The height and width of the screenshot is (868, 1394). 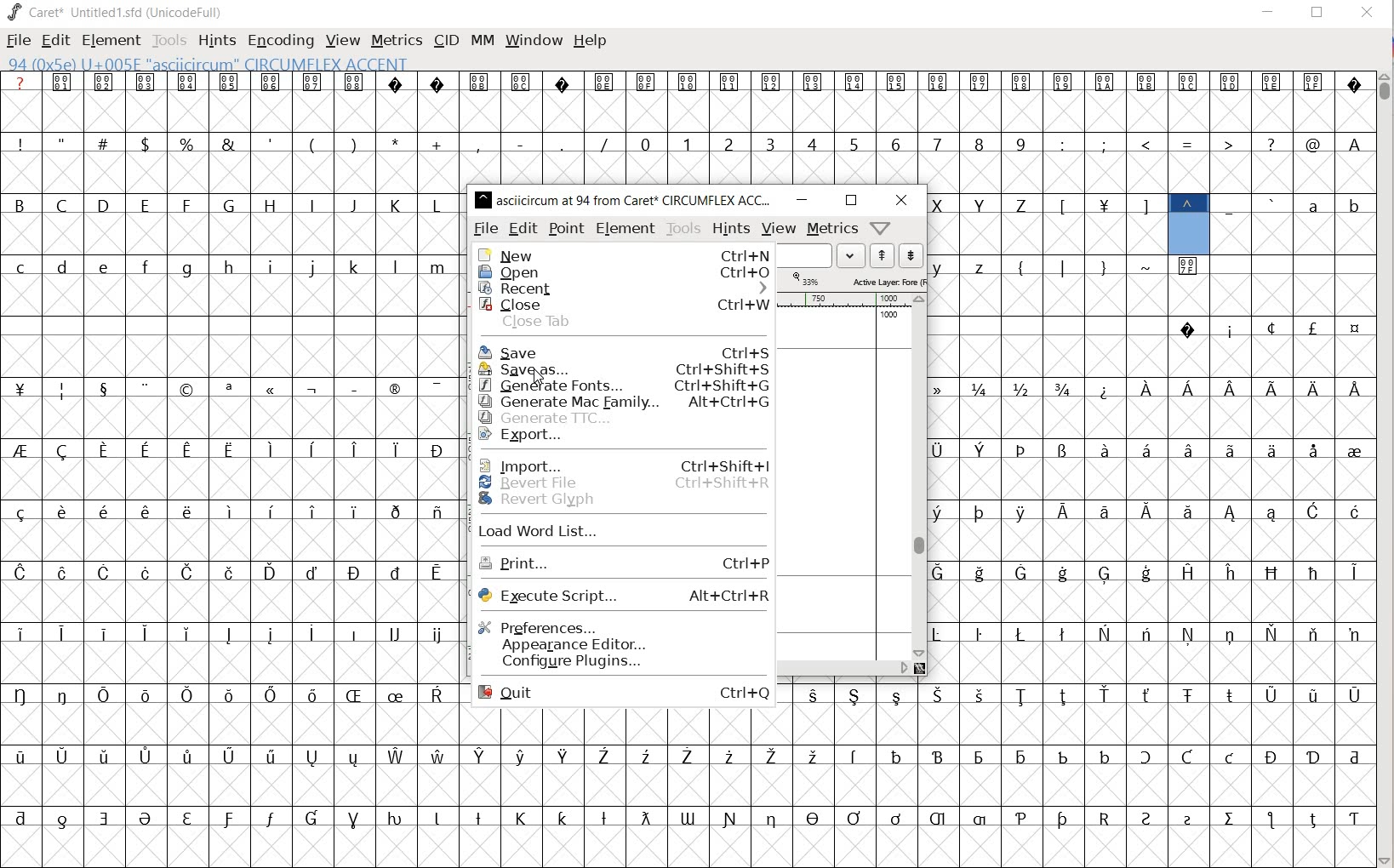 What do you see at coordinates (57, 41) in the screenshot?
I see `EDIT` at bounding box center [57, 41].